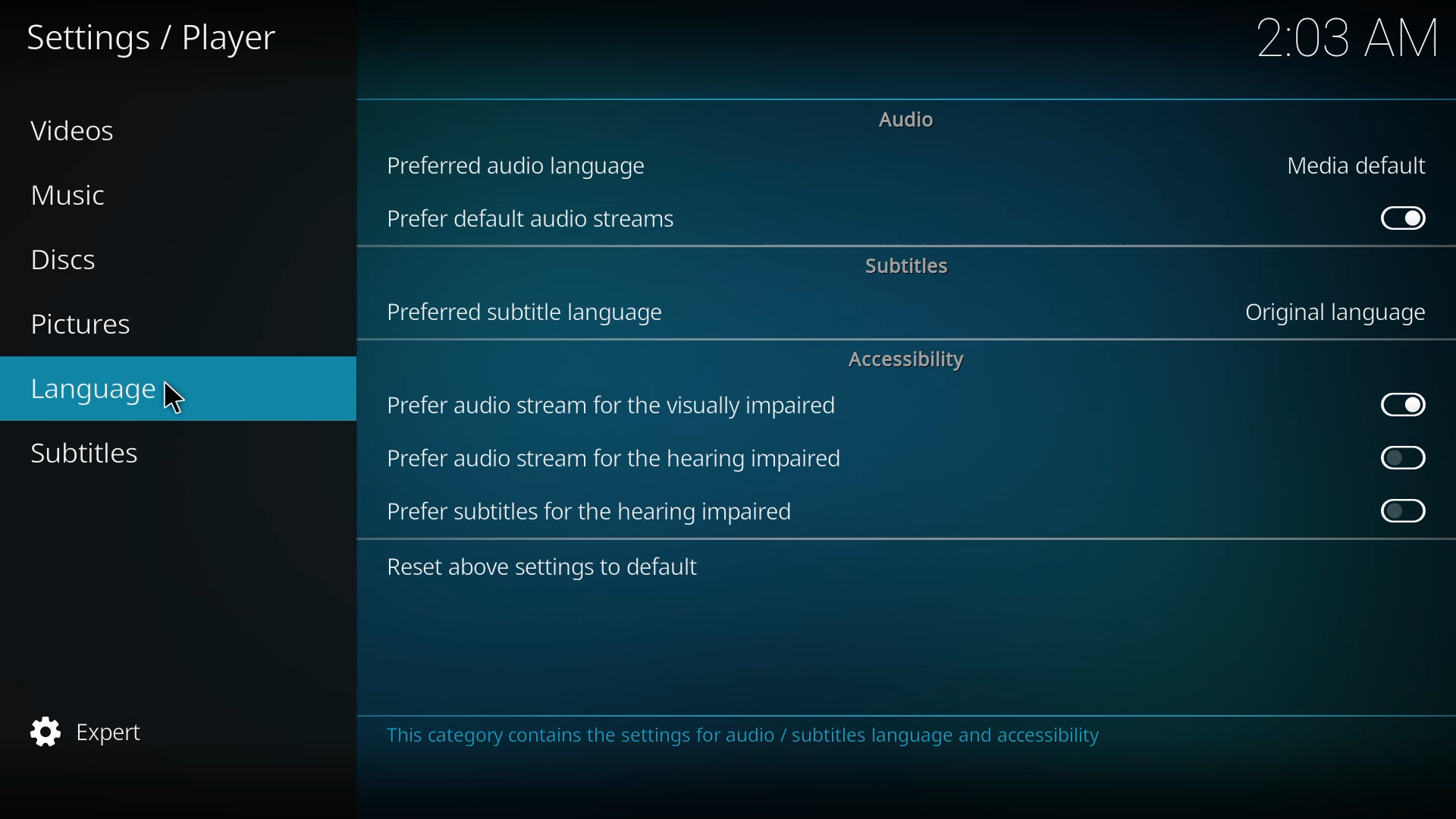  Describe the element at coordinates (89, 452) in the screenshot. I see `subtitles` at that location.